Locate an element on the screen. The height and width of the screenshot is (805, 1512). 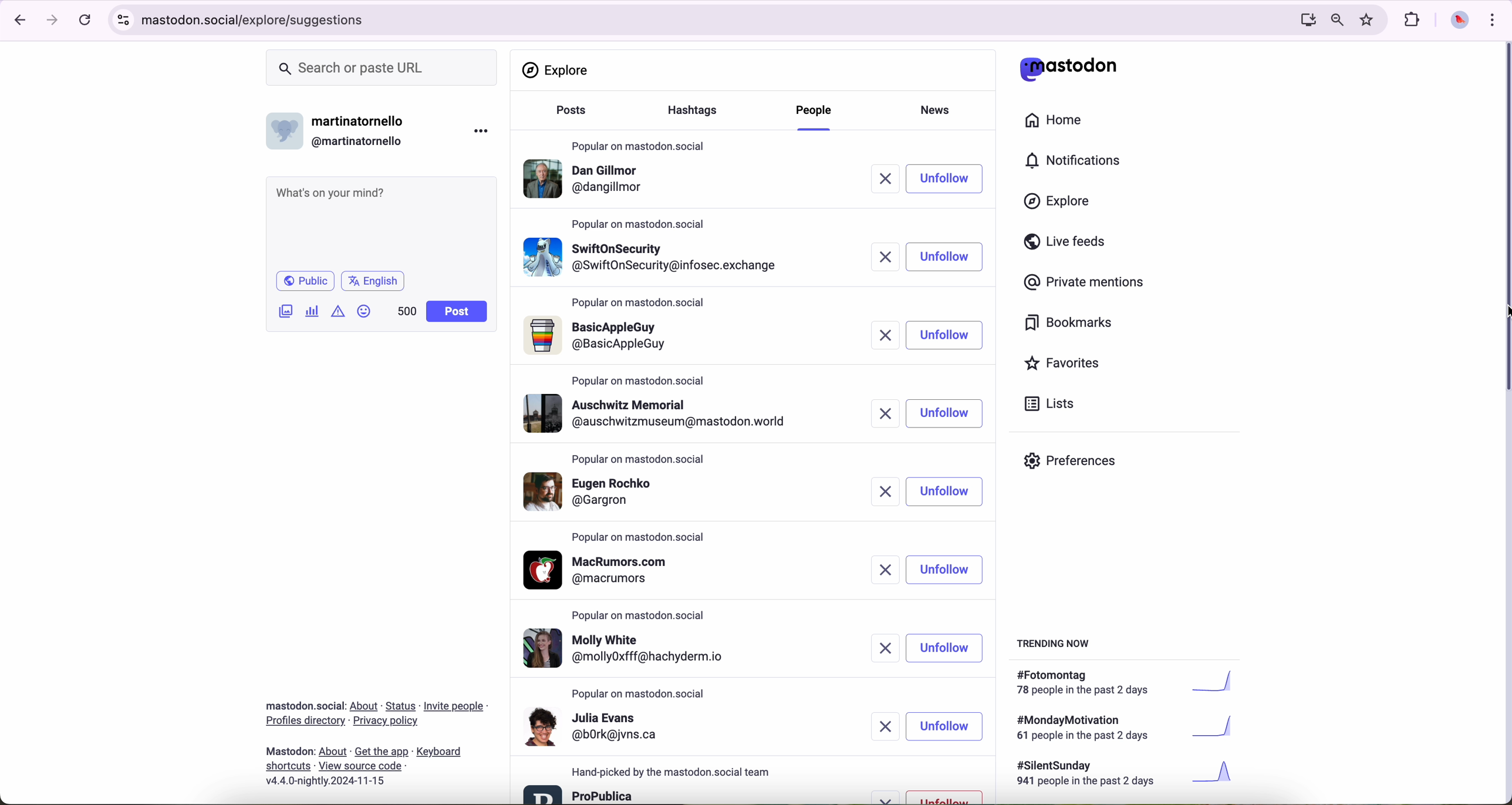
popular is located at coordinates (639, 380).